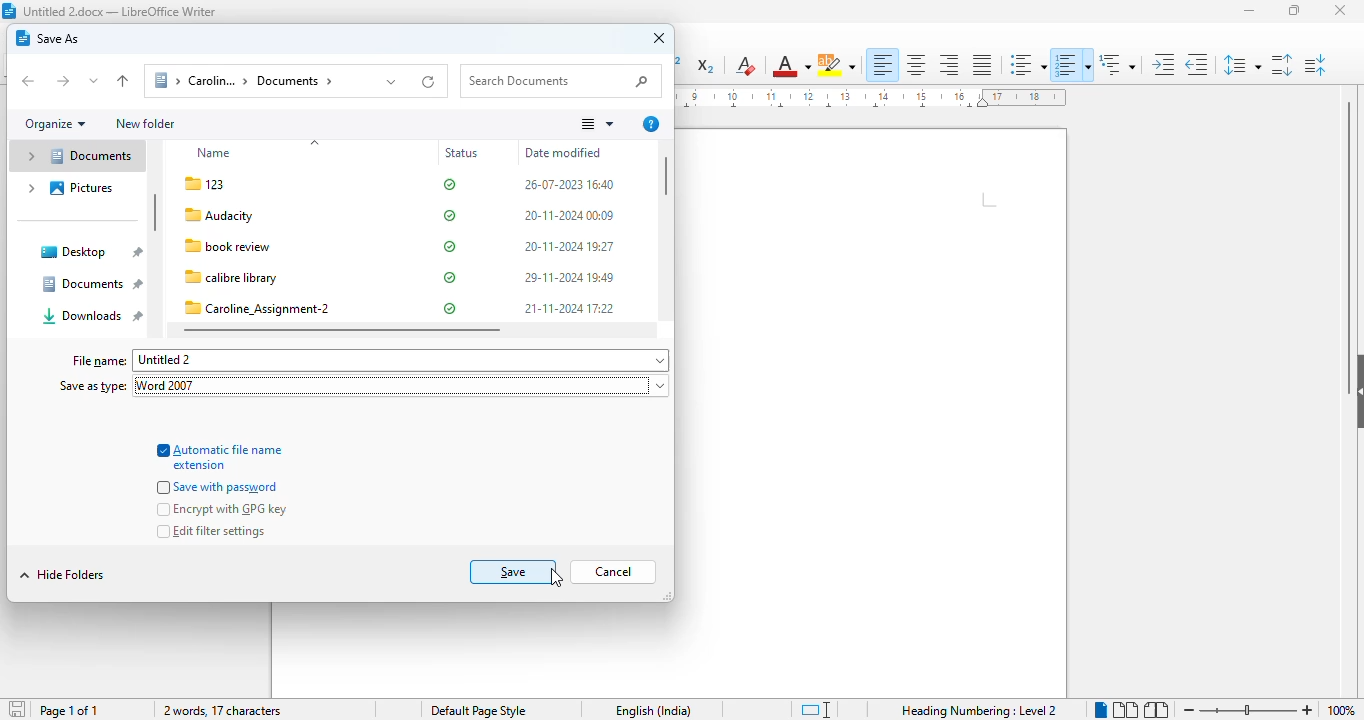 This screenshot has height=720, width=1364. What do you see at coordinates (9, 11) in the screenshot?
I see `logo` at bounding box center [9, 11].